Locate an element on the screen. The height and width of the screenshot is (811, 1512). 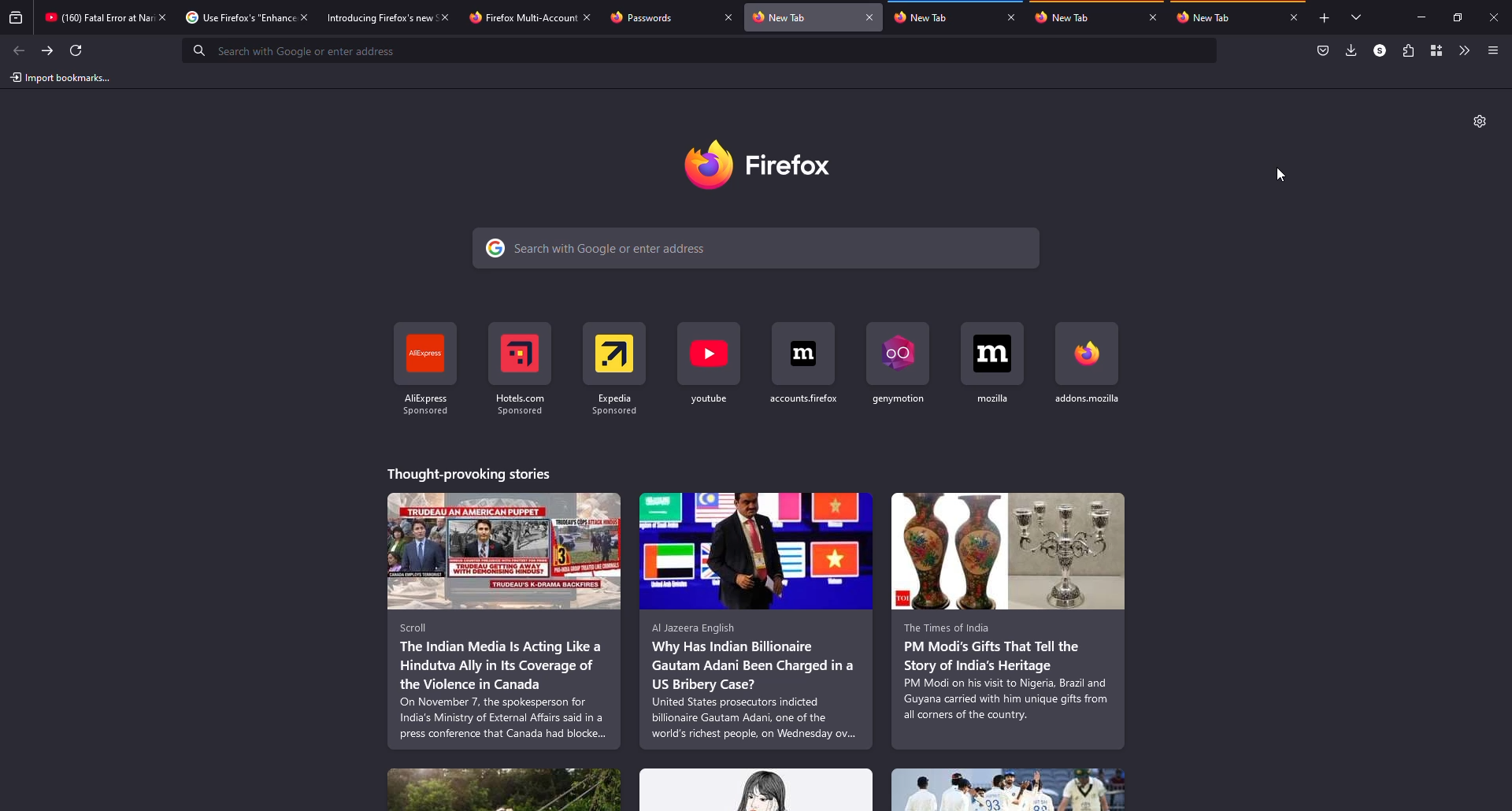
close is located at coordinates (871, 18).